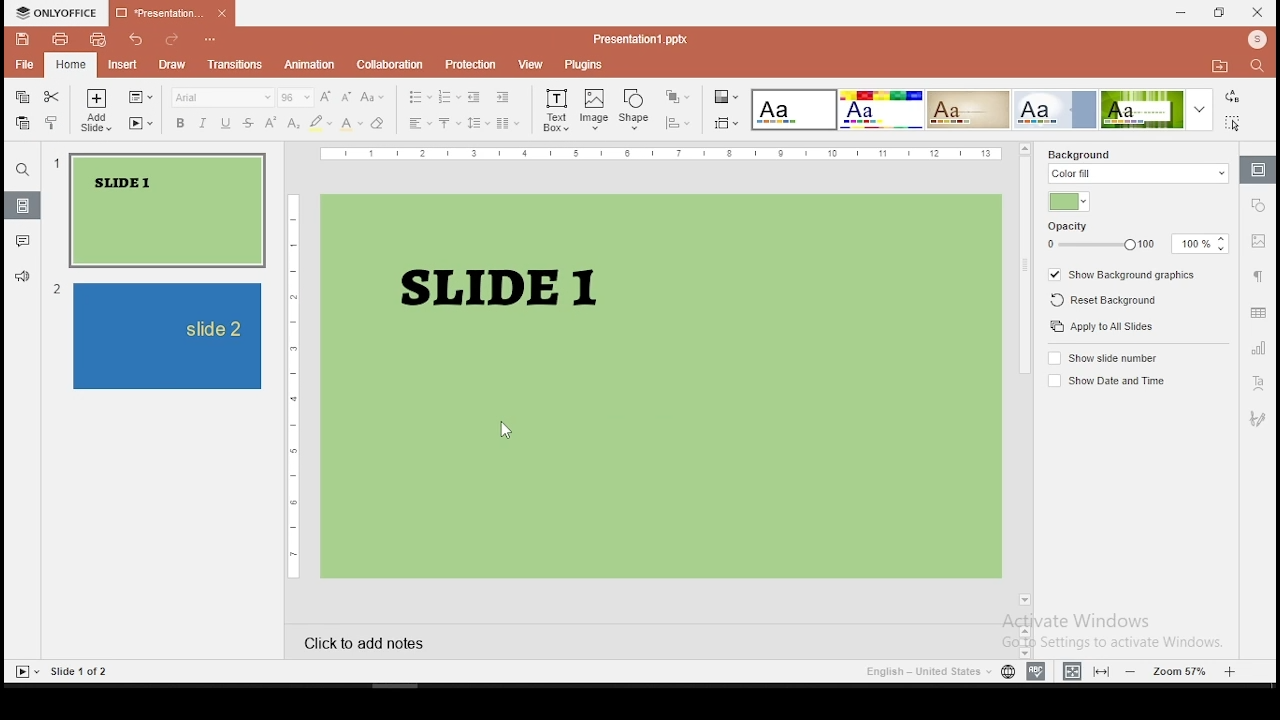 The image size is (1280, 720). What do you see at coordinates (1257, 66) in the screenshot?
I see `find` at bounding box center [1257, 66].